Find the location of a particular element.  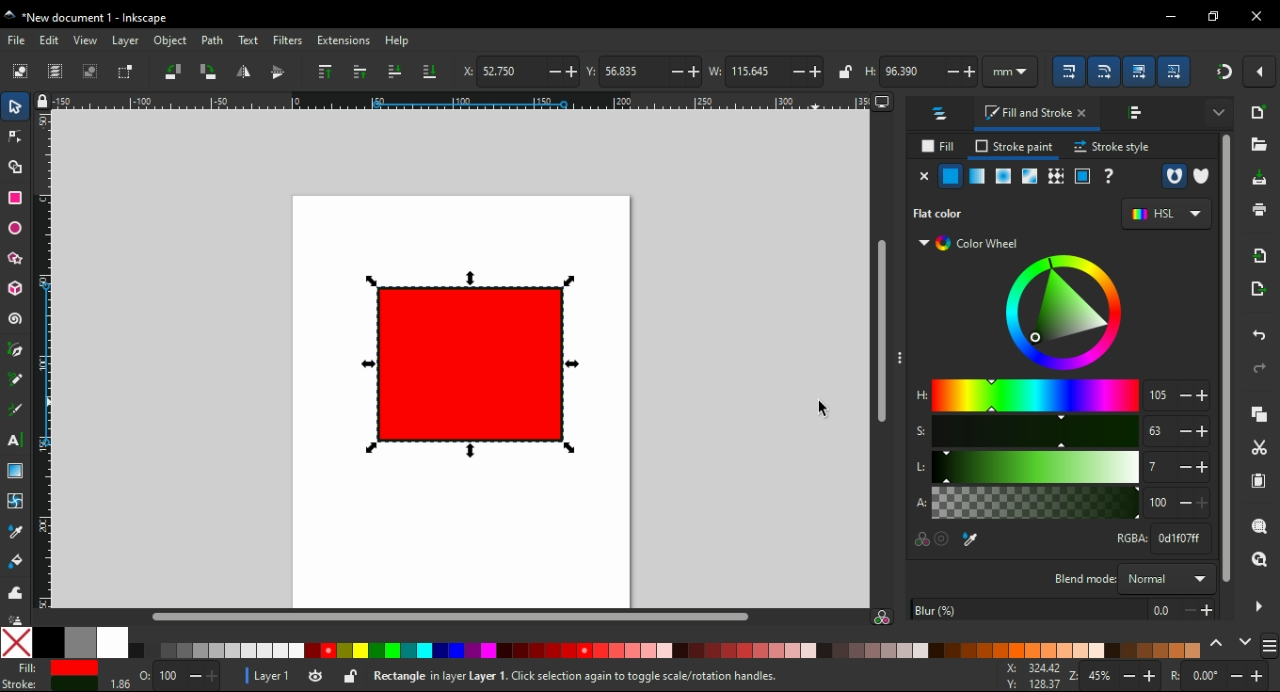

flip horizontal is located at coordinates (246, 71).